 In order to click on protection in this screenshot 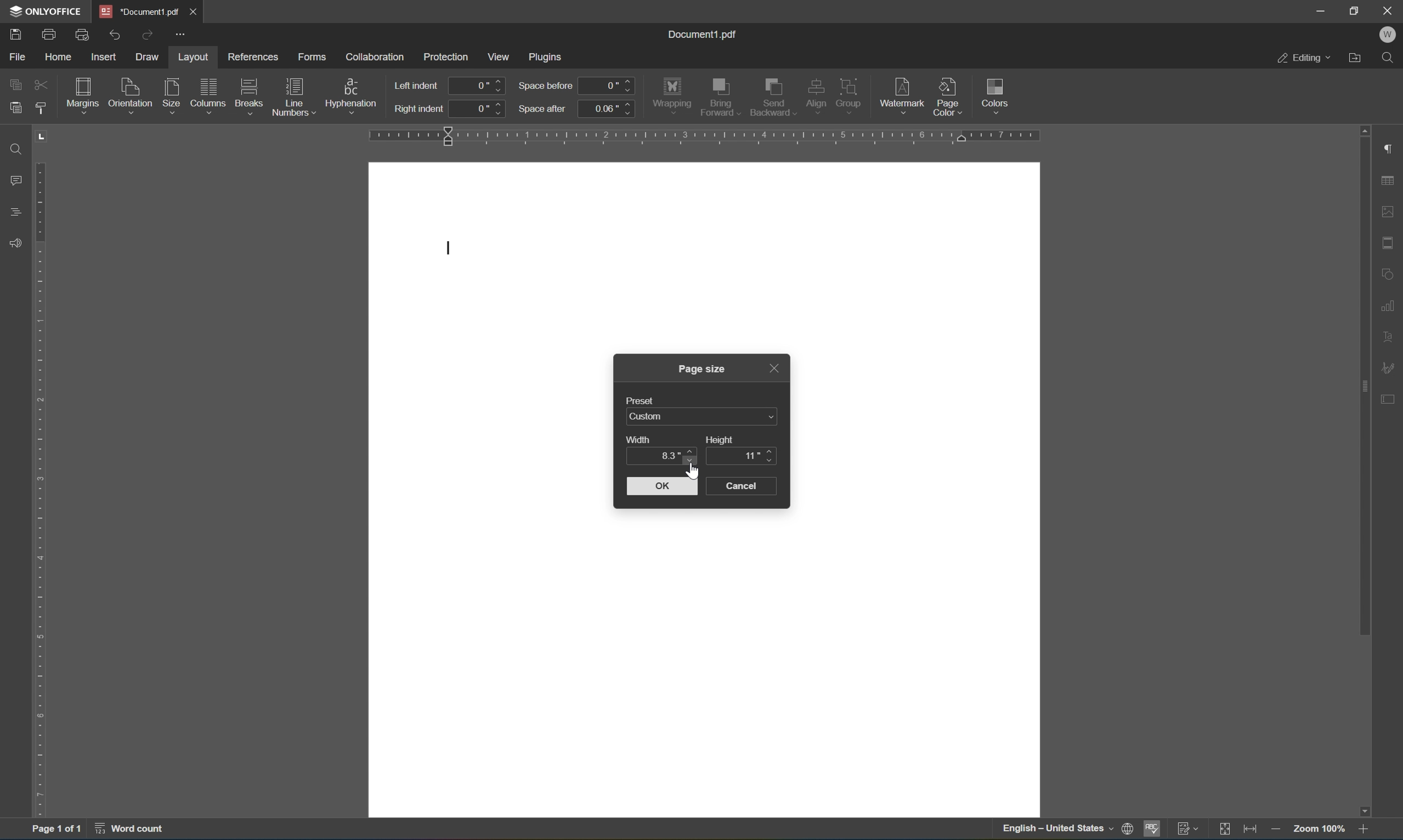, I will do `click(446, 55)`.